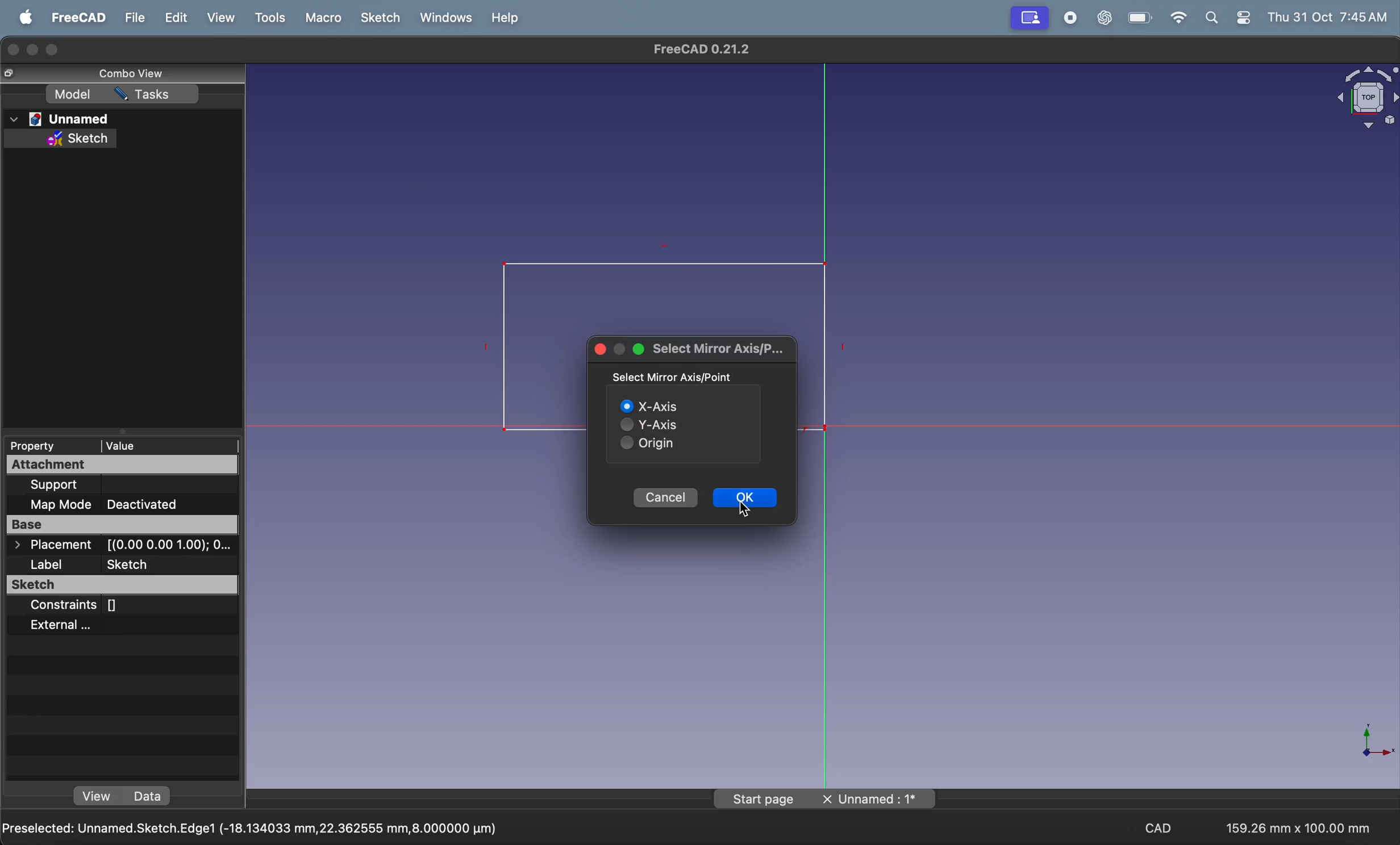  I want to click on file, so click(134, 20).